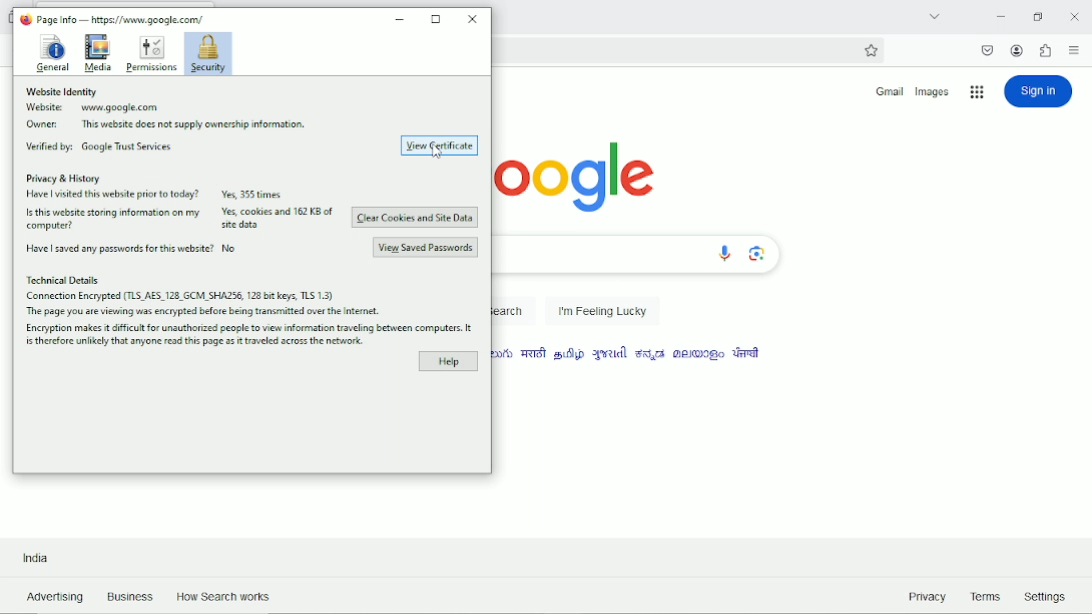 This screenshot has width=1092, height=614. I want to click on Minimize, so click(401, 18).